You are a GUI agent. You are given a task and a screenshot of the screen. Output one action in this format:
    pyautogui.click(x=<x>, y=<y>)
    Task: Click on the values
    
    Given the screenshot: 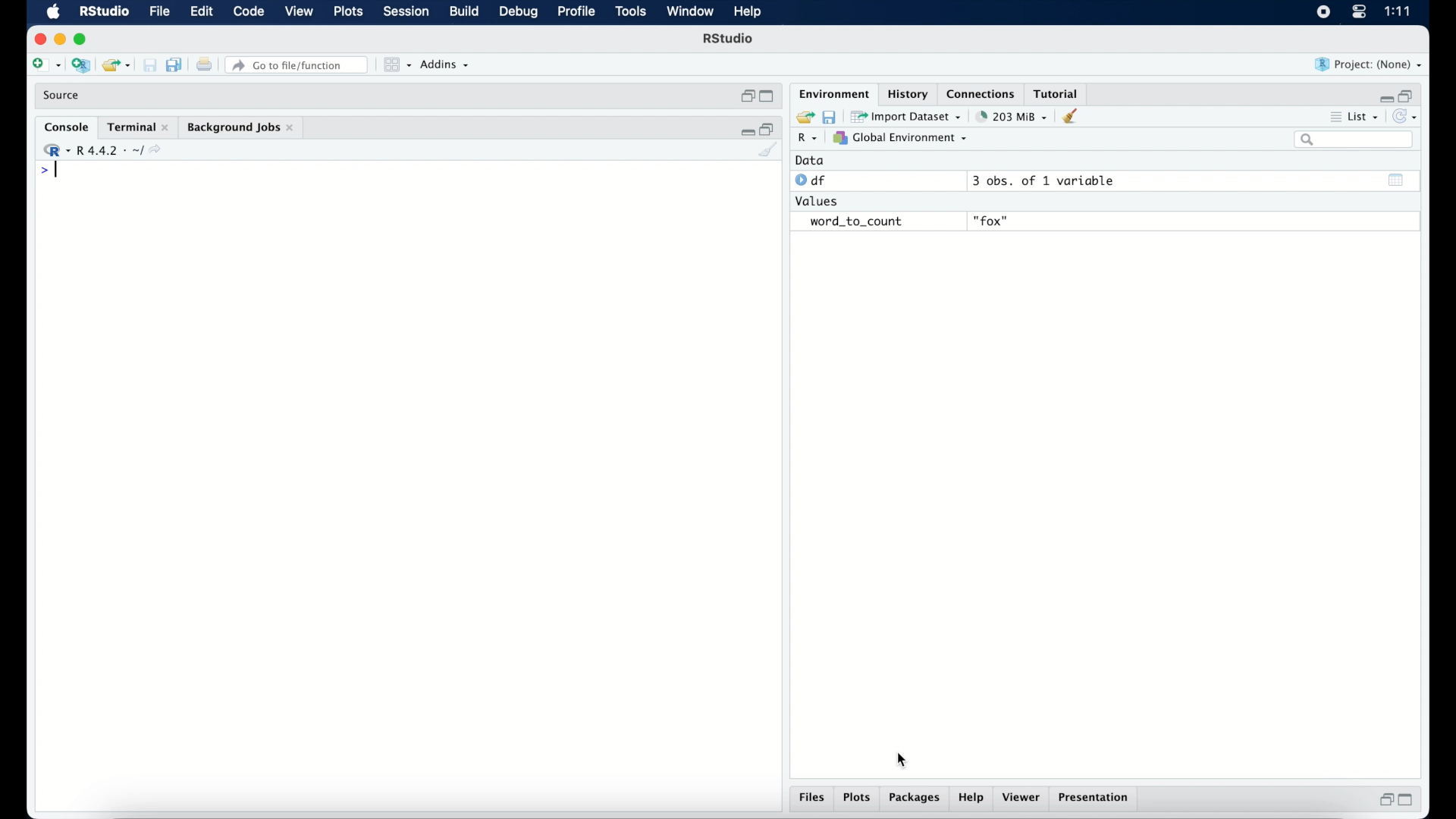 What is the action you would take?
    pyautogui.click(x=818, y=199)
    